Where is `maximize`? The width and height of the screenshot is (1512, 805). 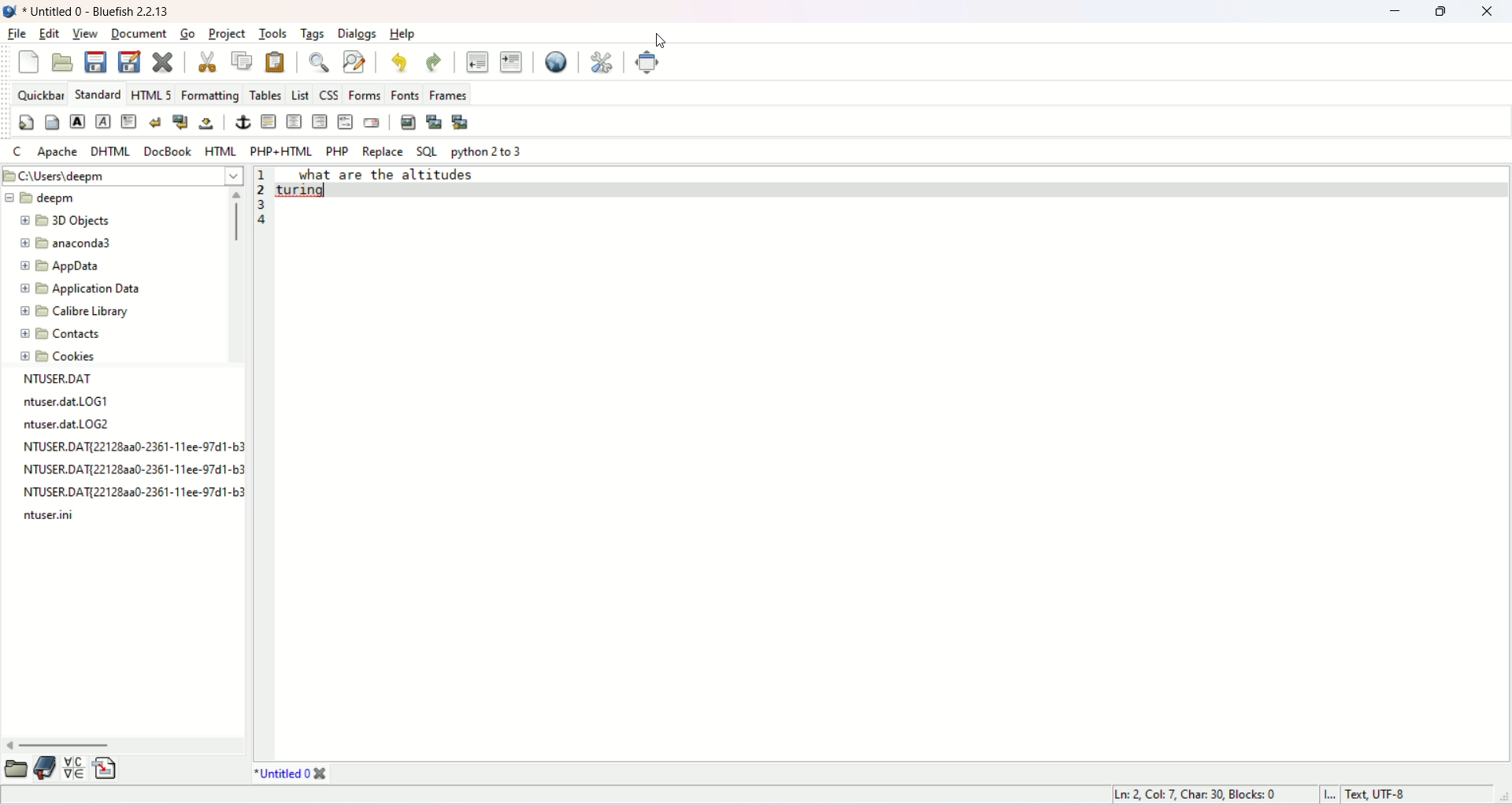
maximize is located at coordinates (1440, 13).